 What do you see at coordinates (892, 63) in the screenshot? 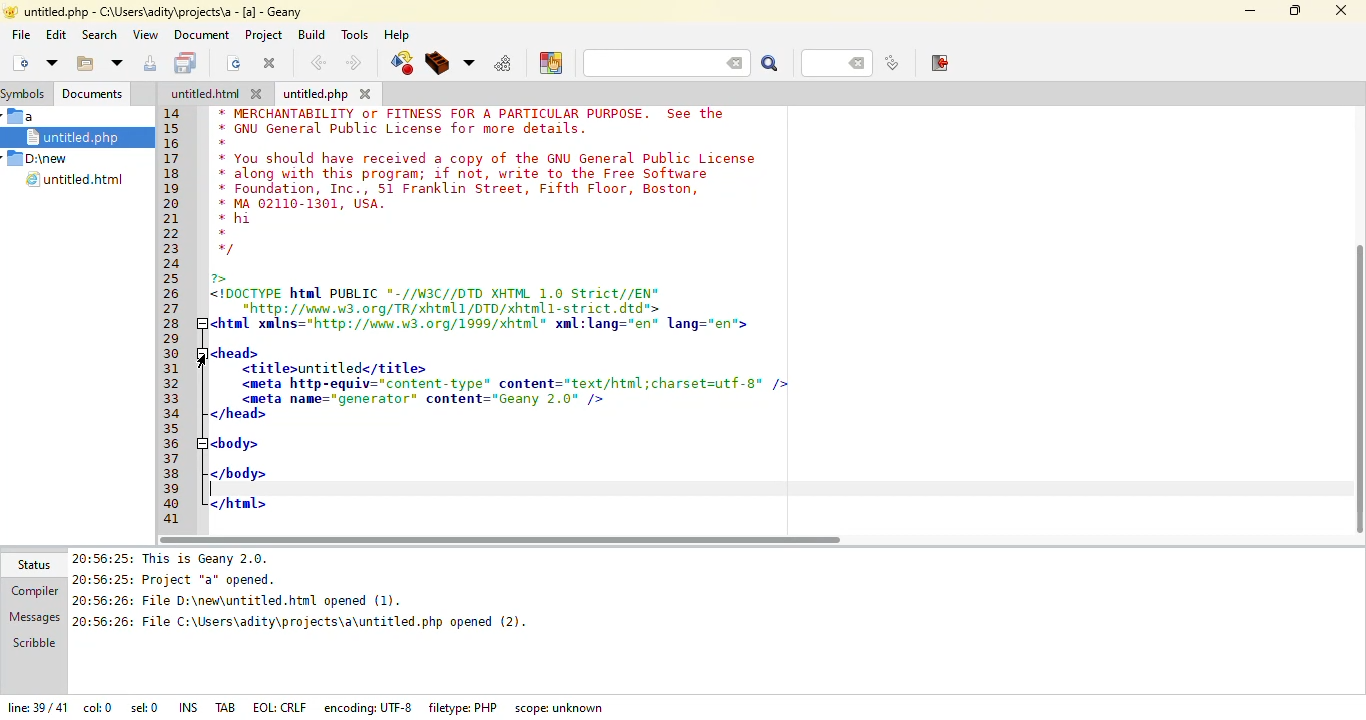
I see `jump` at bounding box center [892, 63].